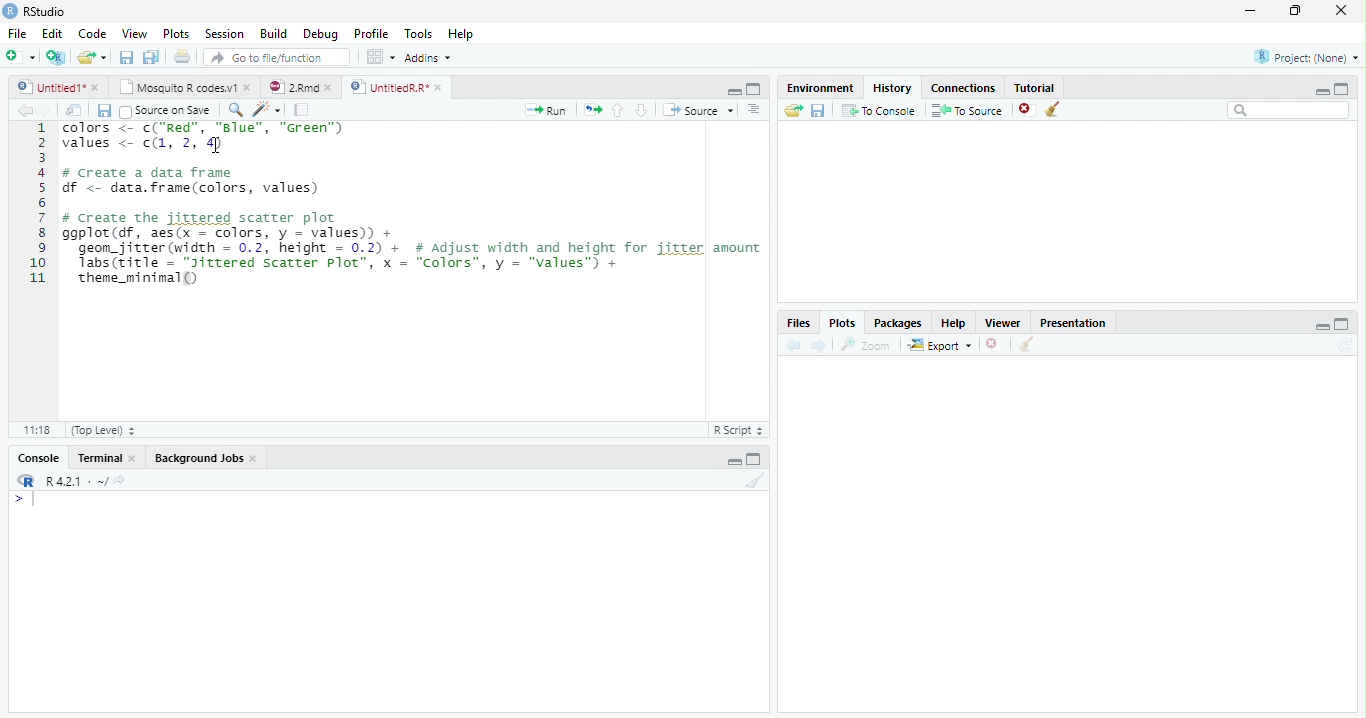 Image resolution: width=1366 pixels, height=718 pixels. What do you see at coordinates (1295, 11) in the screenshot?
I see `restore` at bounding box center [1295, 11].